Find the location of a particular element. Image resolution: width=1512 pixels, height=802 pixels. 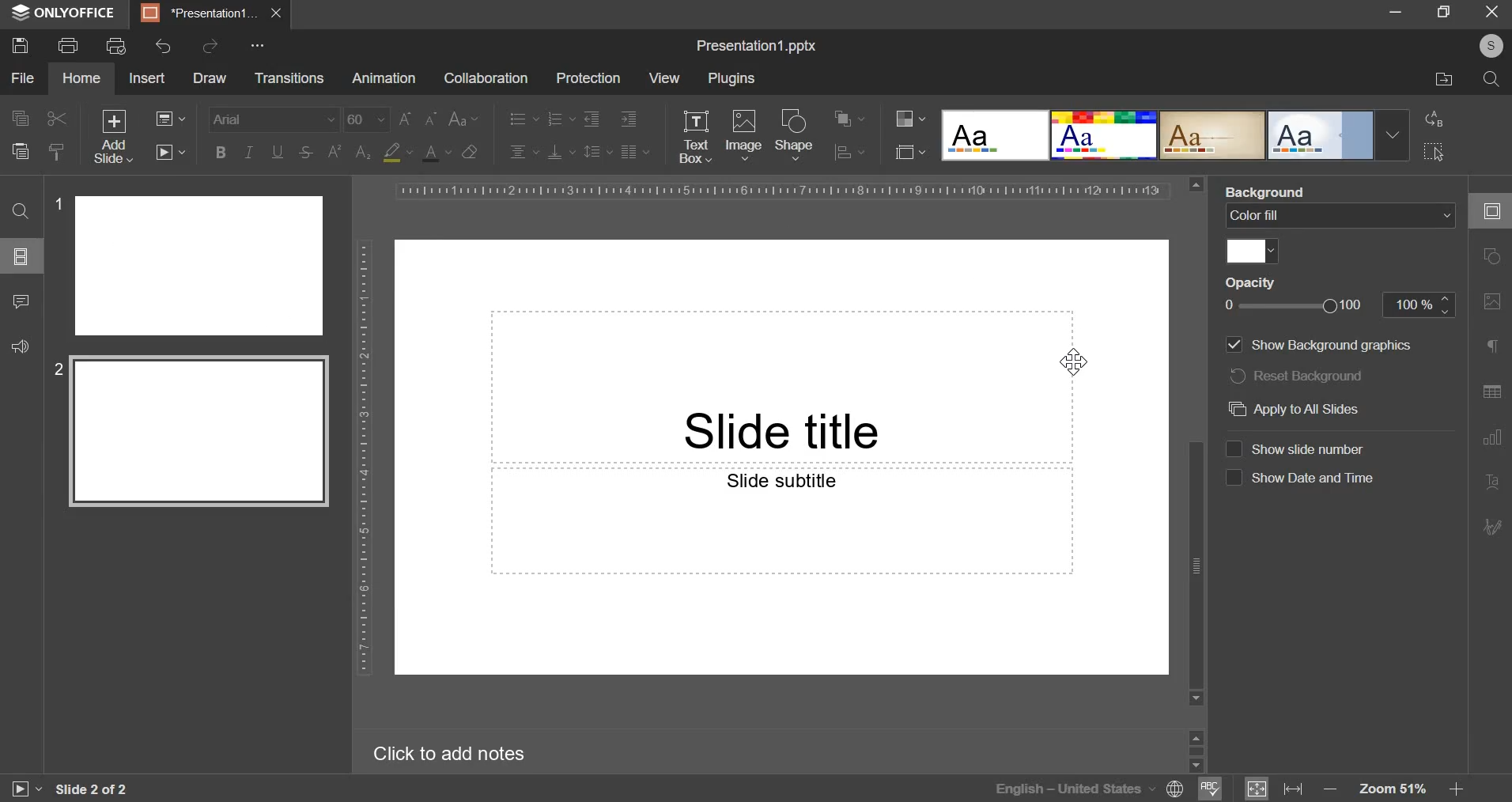

color fill is located at coordinates (1251, 249).